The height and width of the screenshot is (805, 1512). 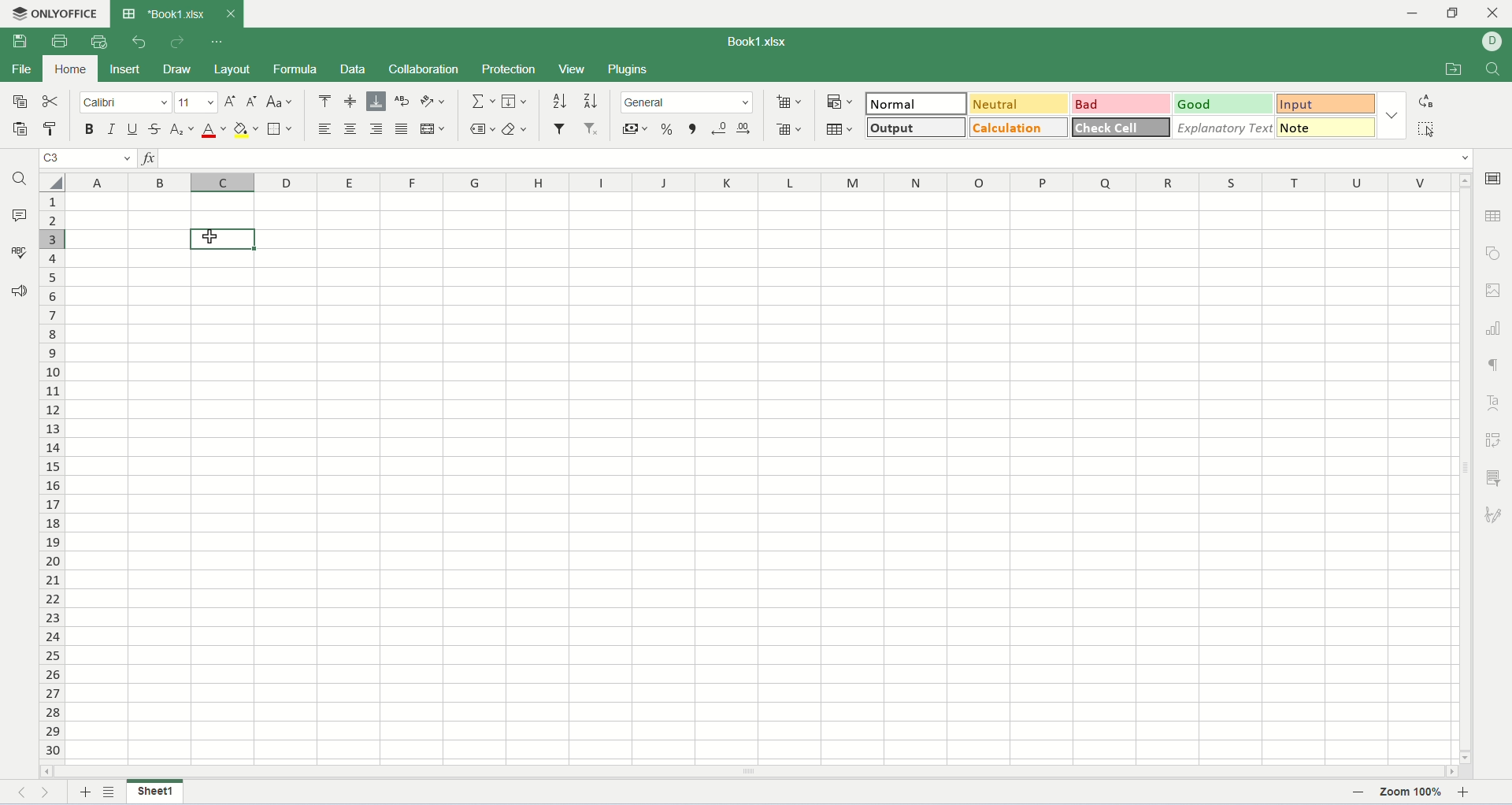 What do you see at coordinates (402, 100) in the screenshot?
I see `wrap text` at bounding box center [402, 100].